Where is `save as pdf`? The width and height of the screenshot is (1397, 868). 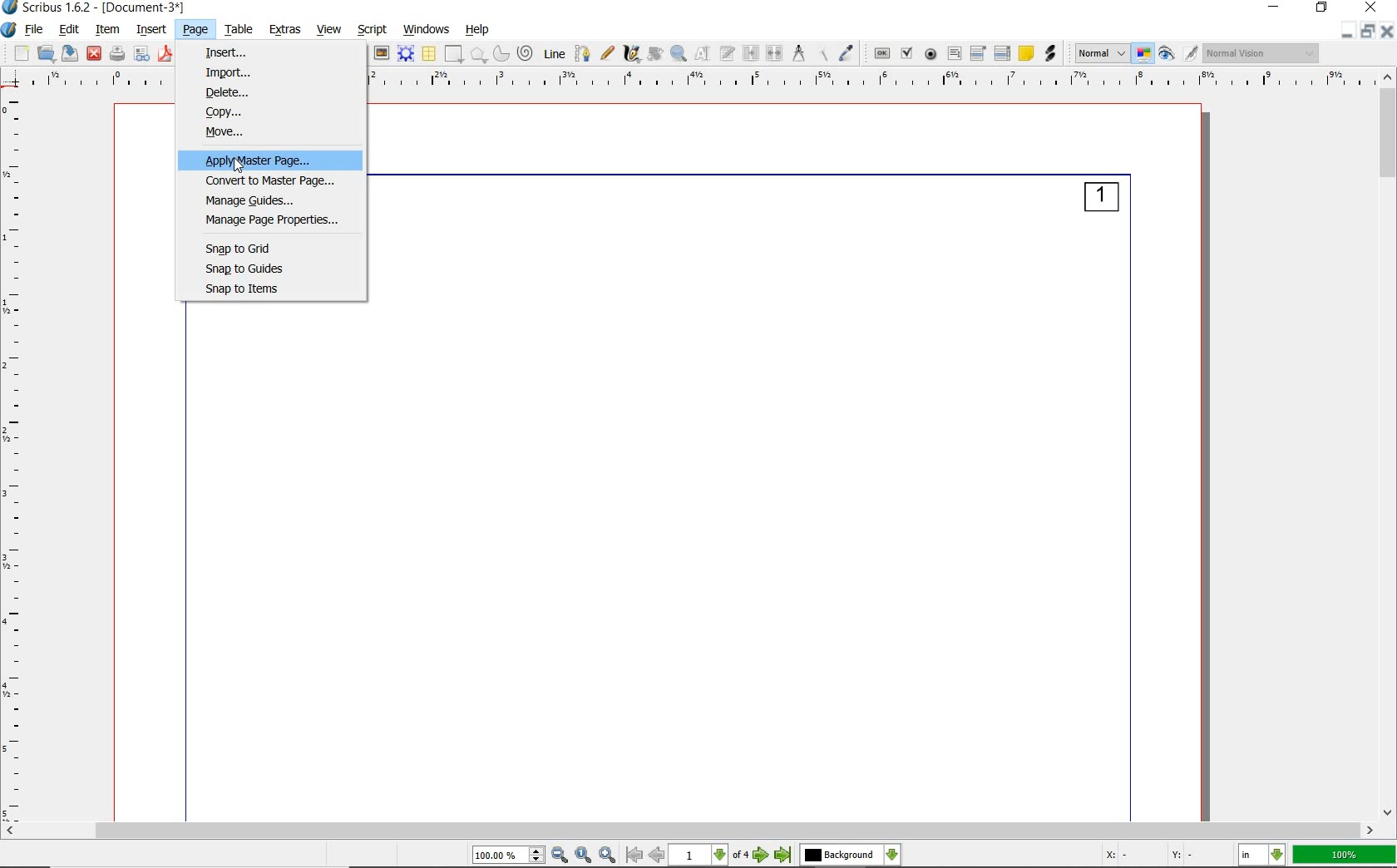 save as pdf is located at coordinates (165, 55).